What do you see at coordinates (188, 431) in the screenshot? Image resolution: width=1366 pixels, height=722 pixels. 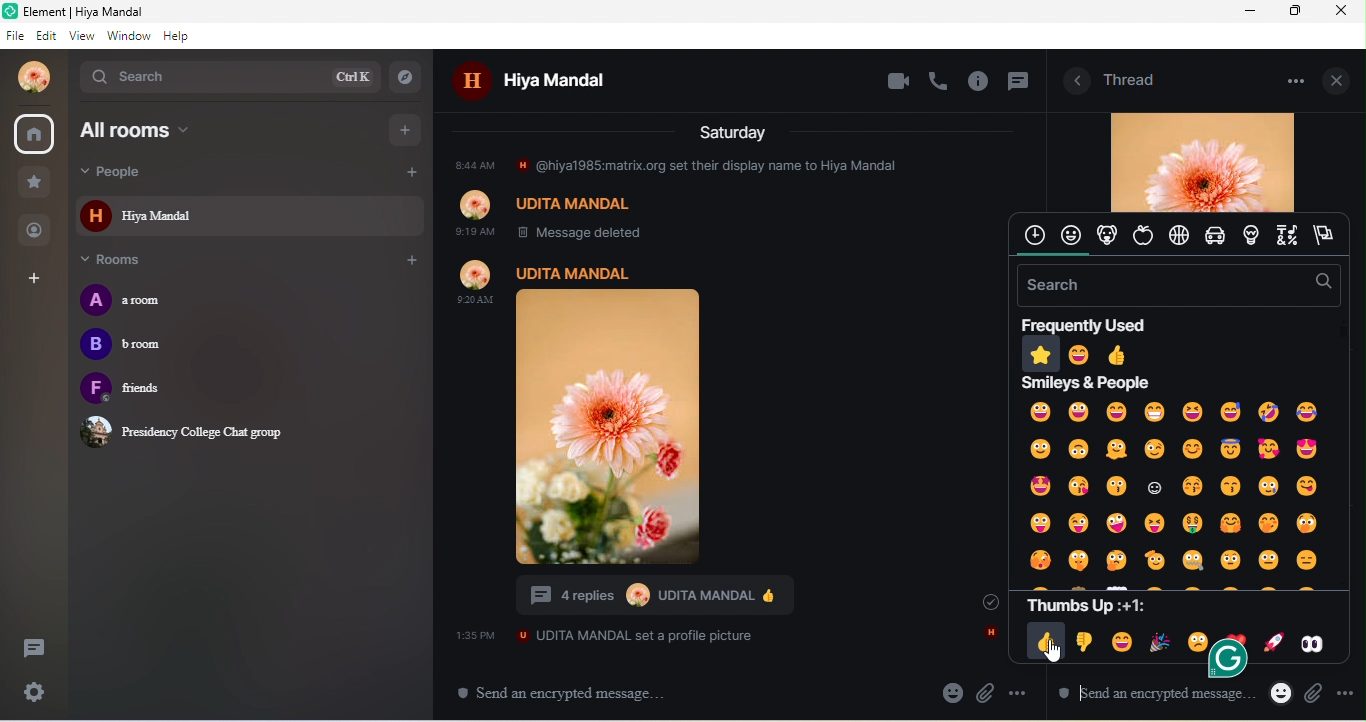 I see `presidency college chat group` at bounding box center [188, 431].